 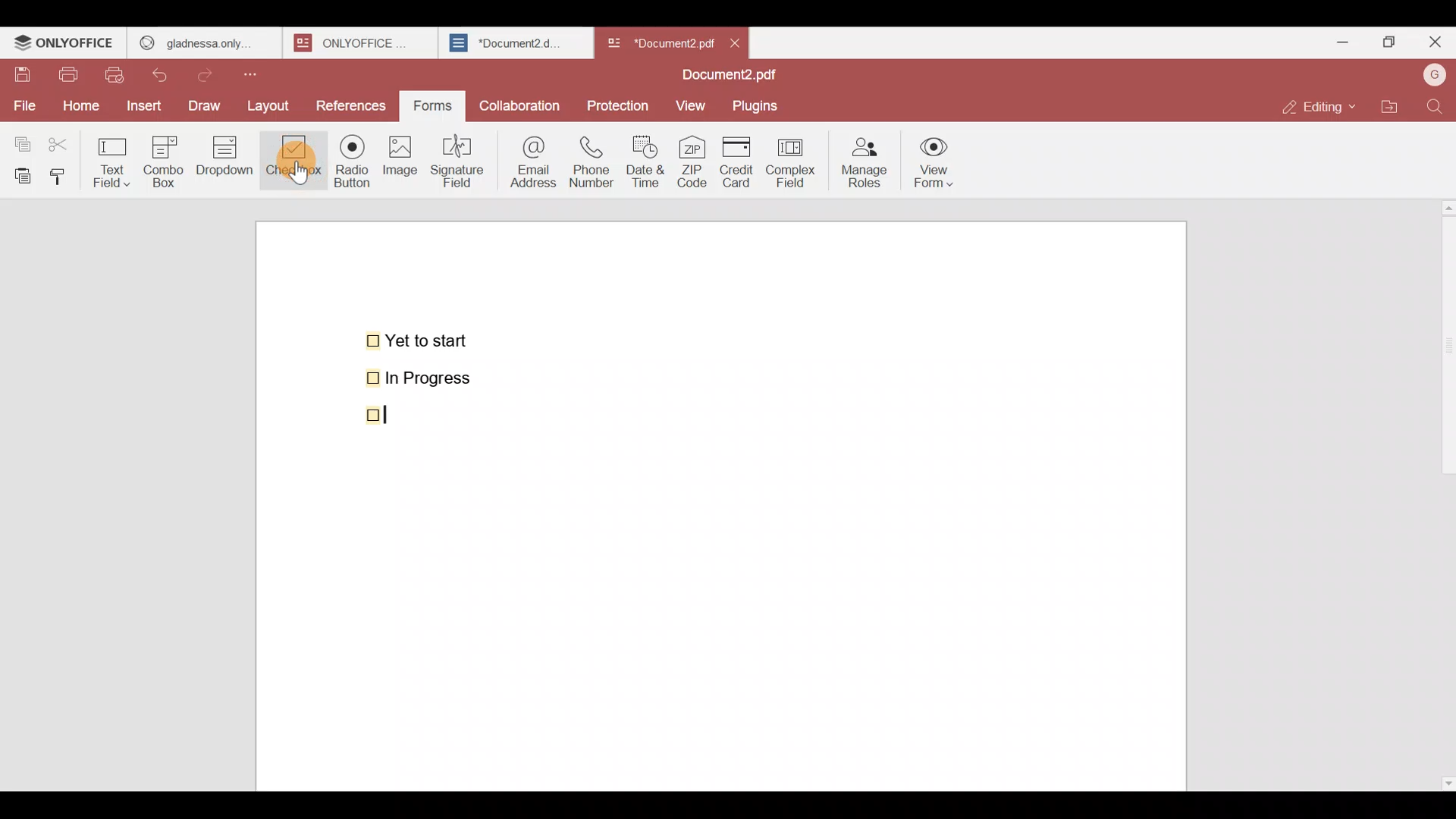 I want to click on Find, so click(x=1435, y=106).